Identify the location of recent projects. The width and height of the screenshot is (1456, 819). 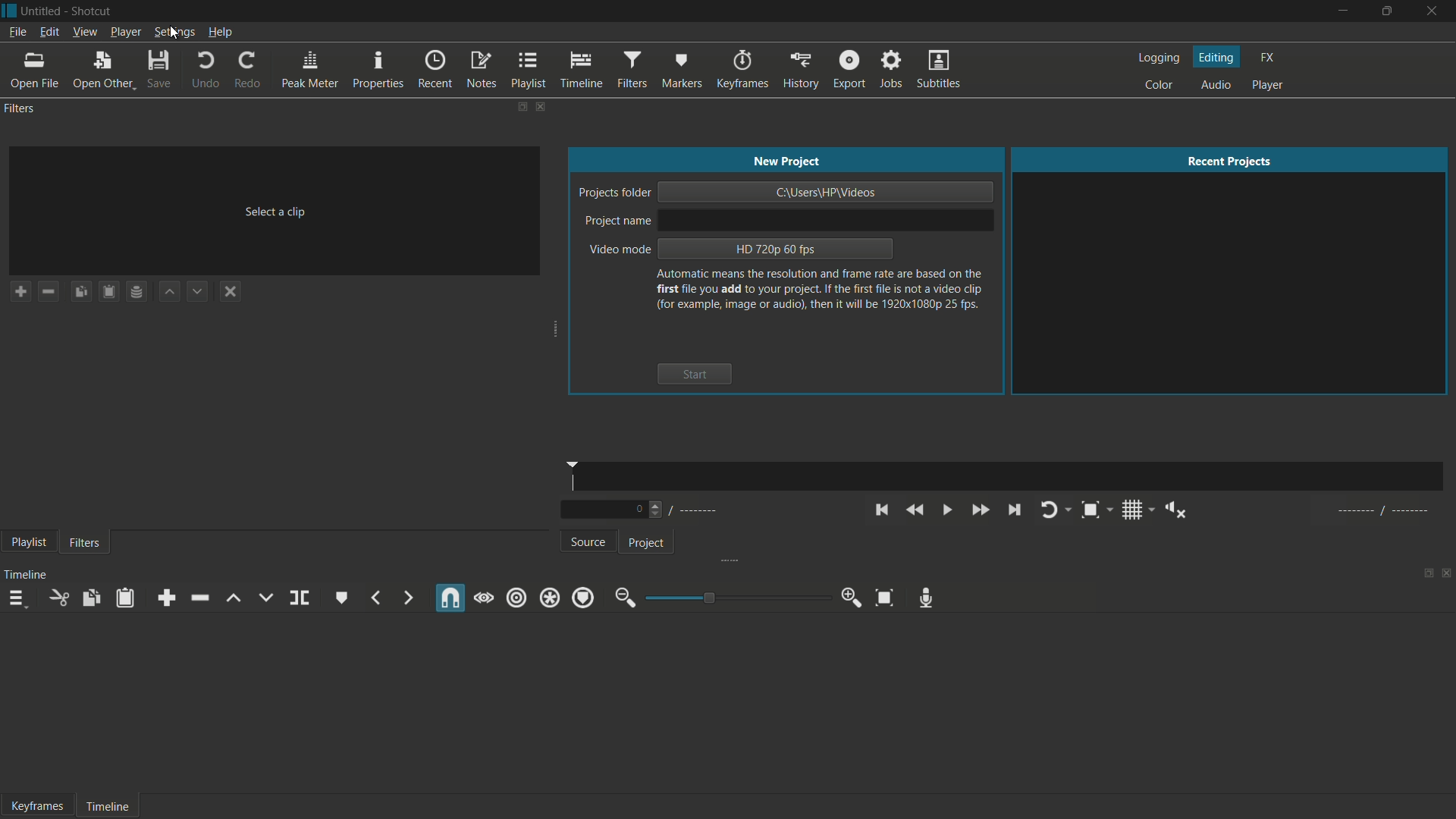
(1232, 162).